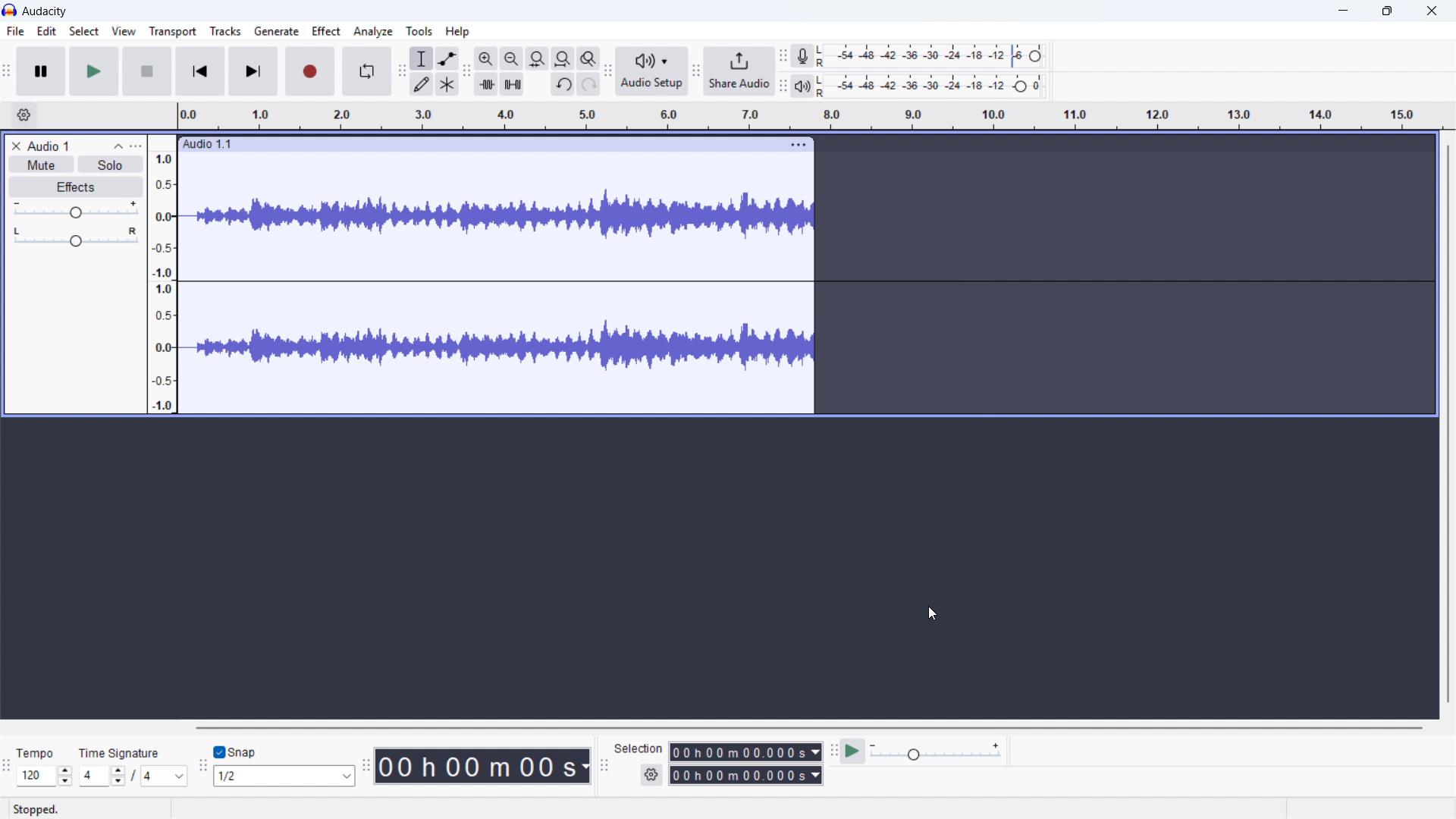 This screenshot has height=819, width=1456. I want to click on play , so click(95, 72).